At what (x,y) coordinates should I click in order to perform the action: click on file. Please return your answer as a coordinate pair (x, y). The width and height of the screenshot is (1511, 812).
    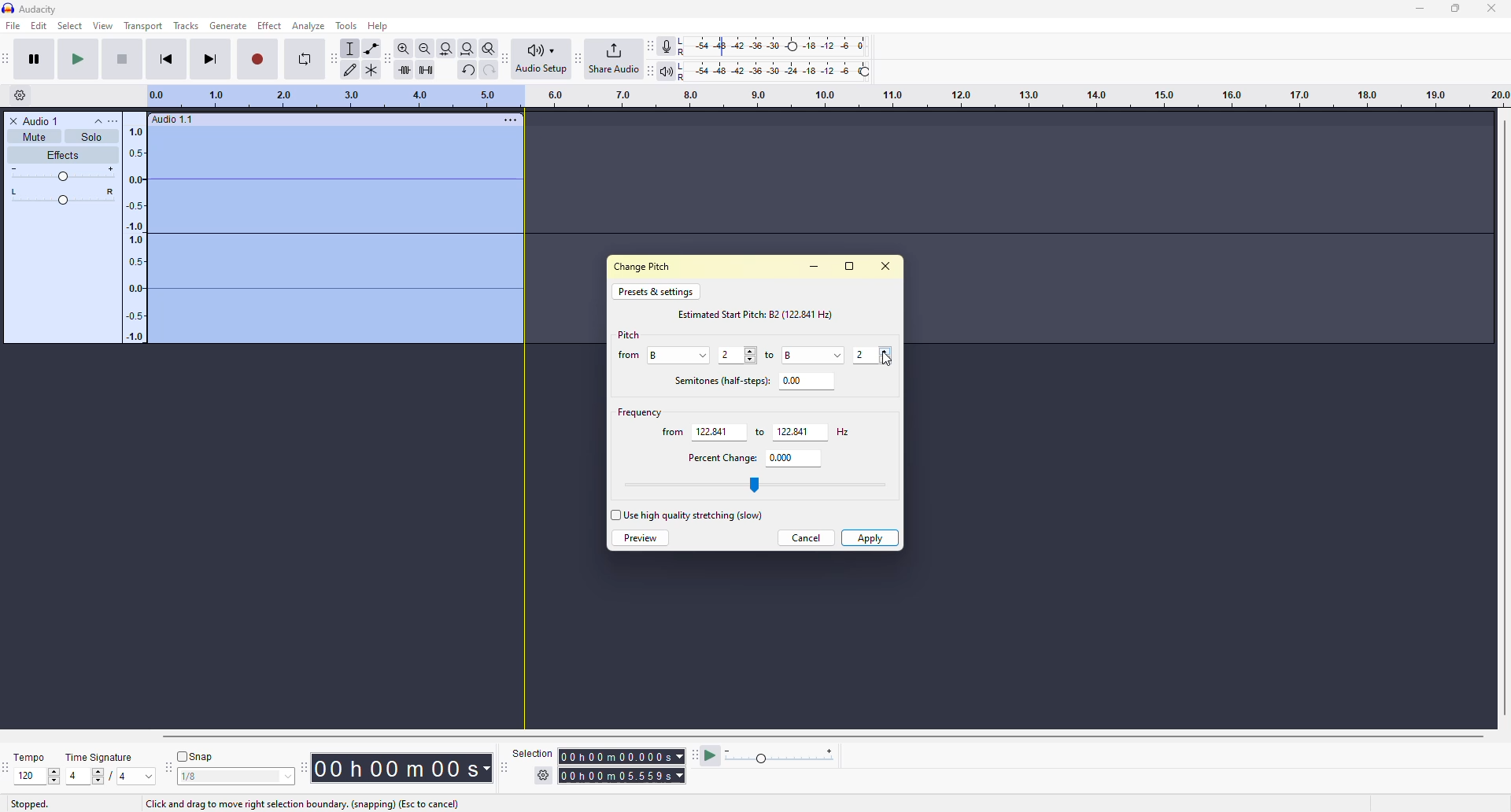
    Looking at the image, I should click on (13, 26).